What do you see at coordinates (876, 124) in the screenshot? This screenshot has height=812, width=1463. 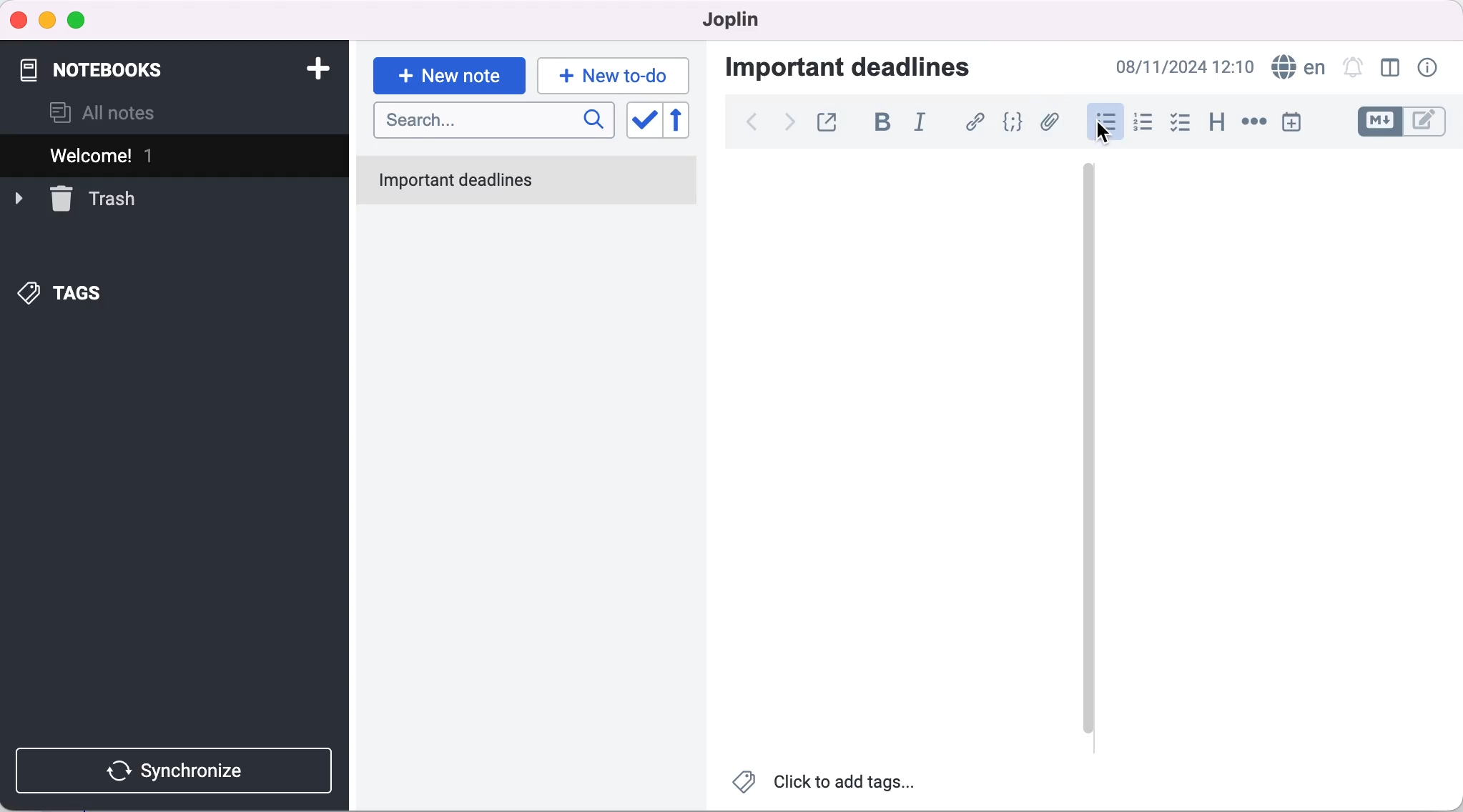 I see `bold` at bounding box center [876, 124].